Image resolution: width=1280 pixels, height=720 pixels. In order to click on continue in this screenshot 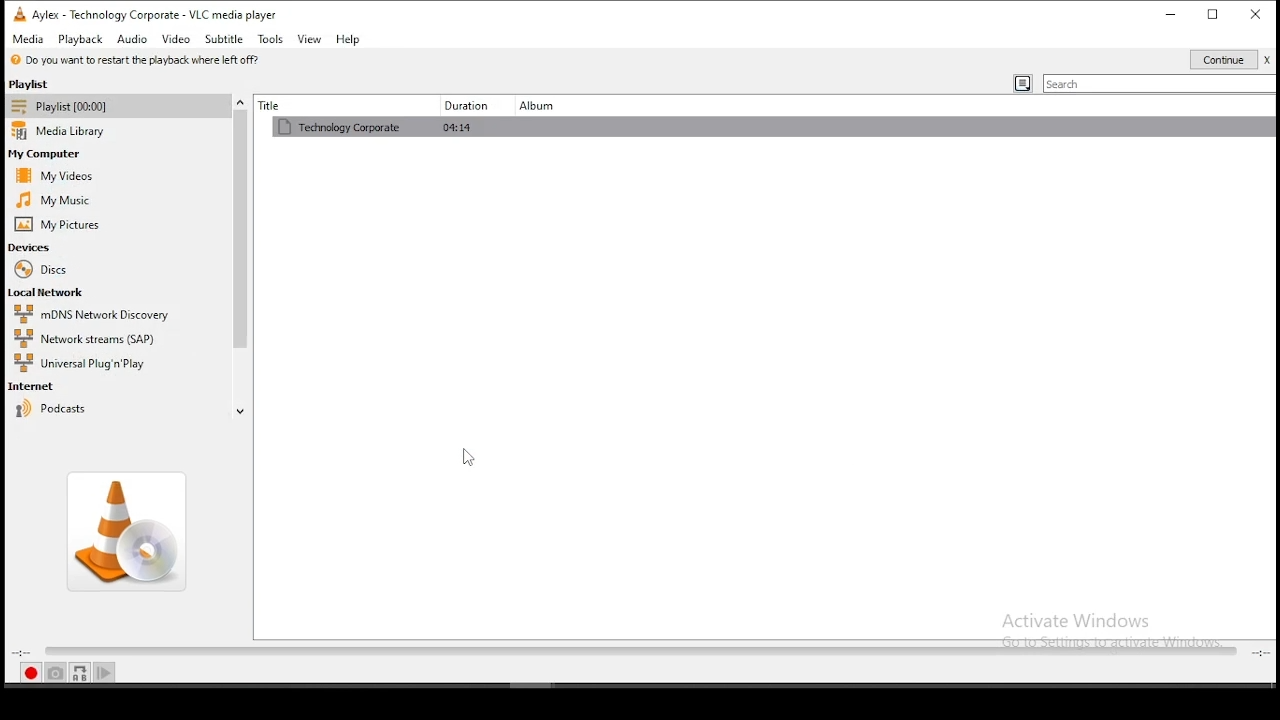, I will do `click(1229, 60)`.